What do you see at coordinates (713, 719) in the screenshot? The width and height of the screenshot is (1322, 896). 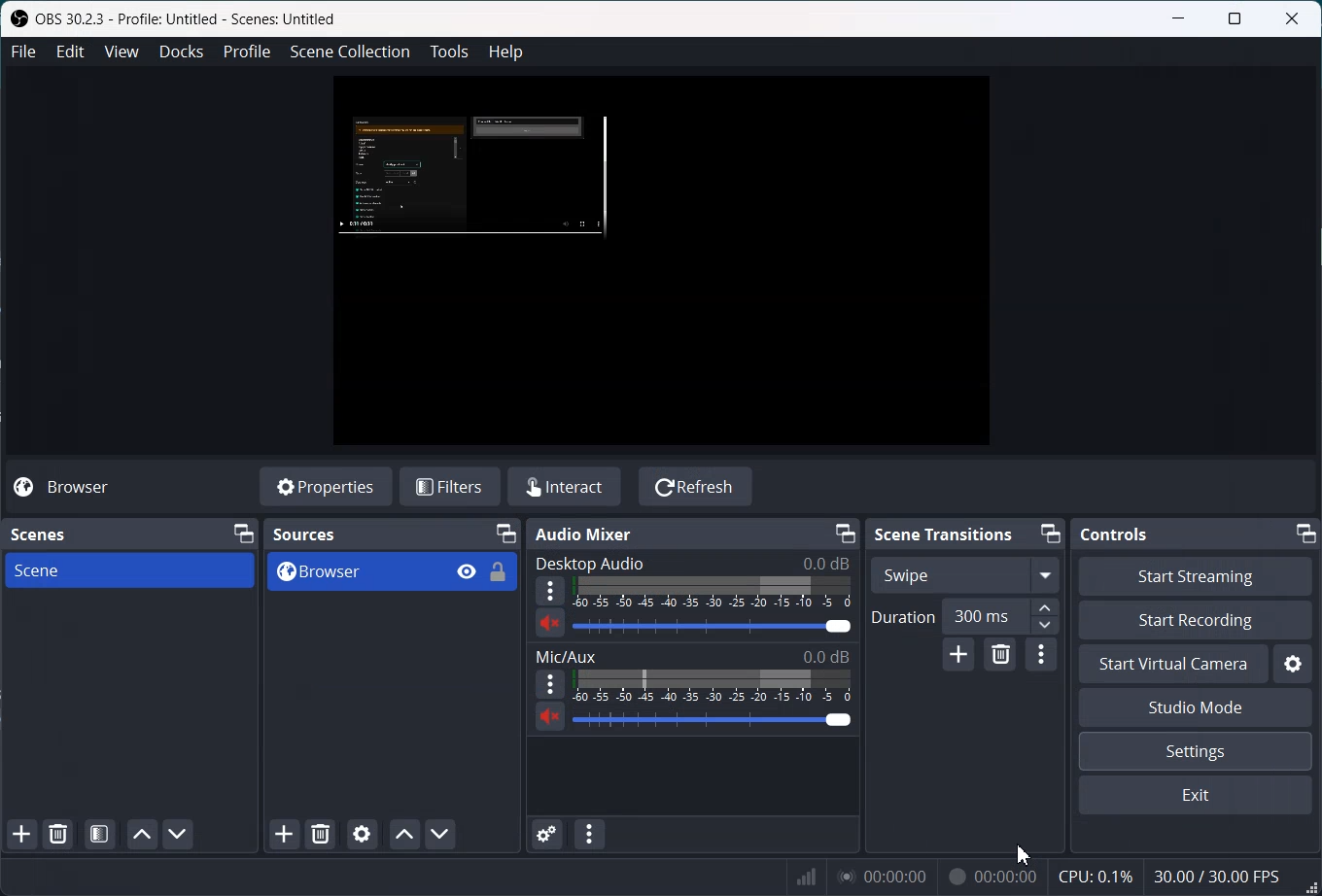 I see `Volume Adjuster` at bounding box center [713, 719].